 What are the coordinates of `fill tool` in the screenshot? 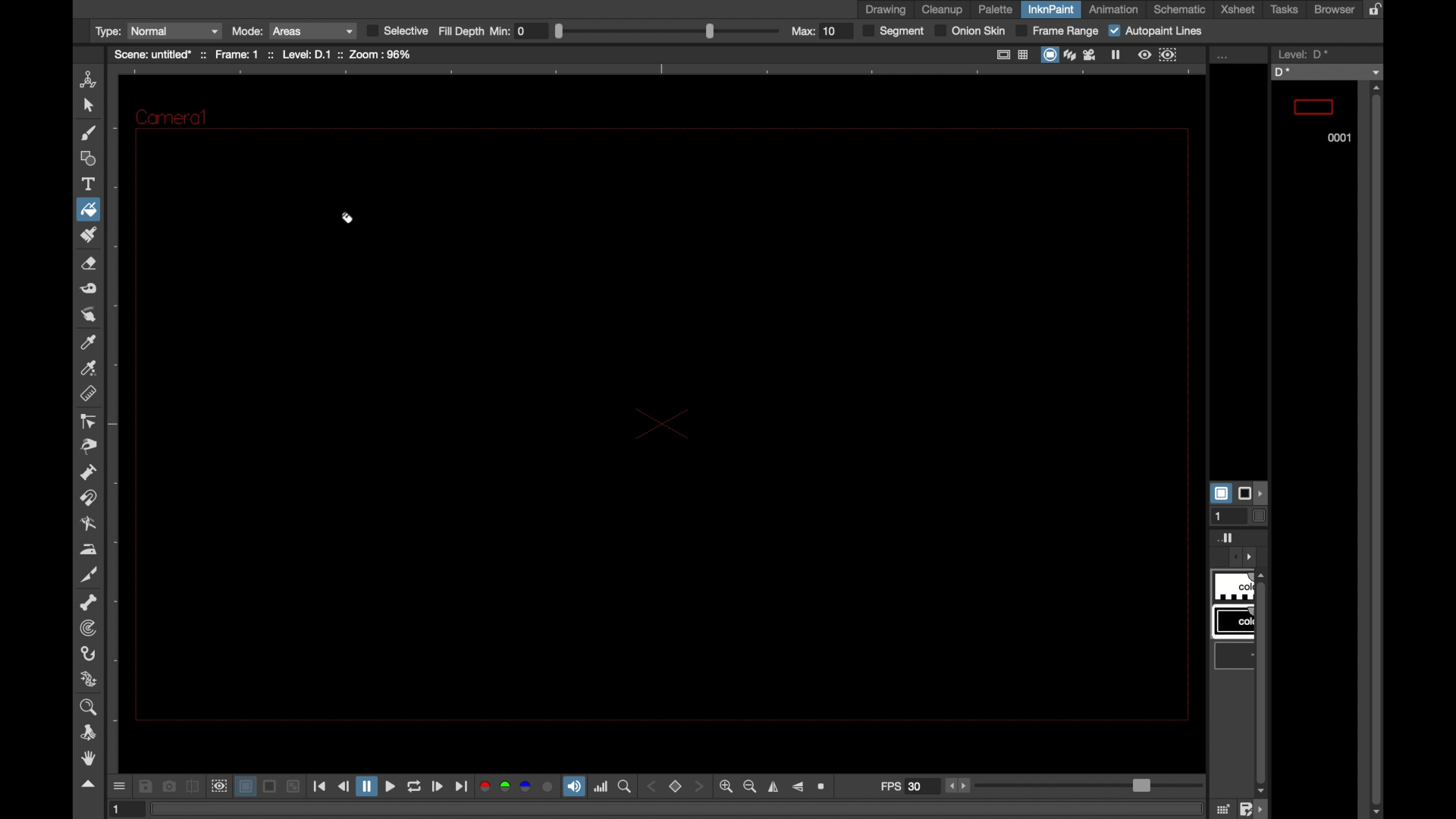 It's located at (90, 209).